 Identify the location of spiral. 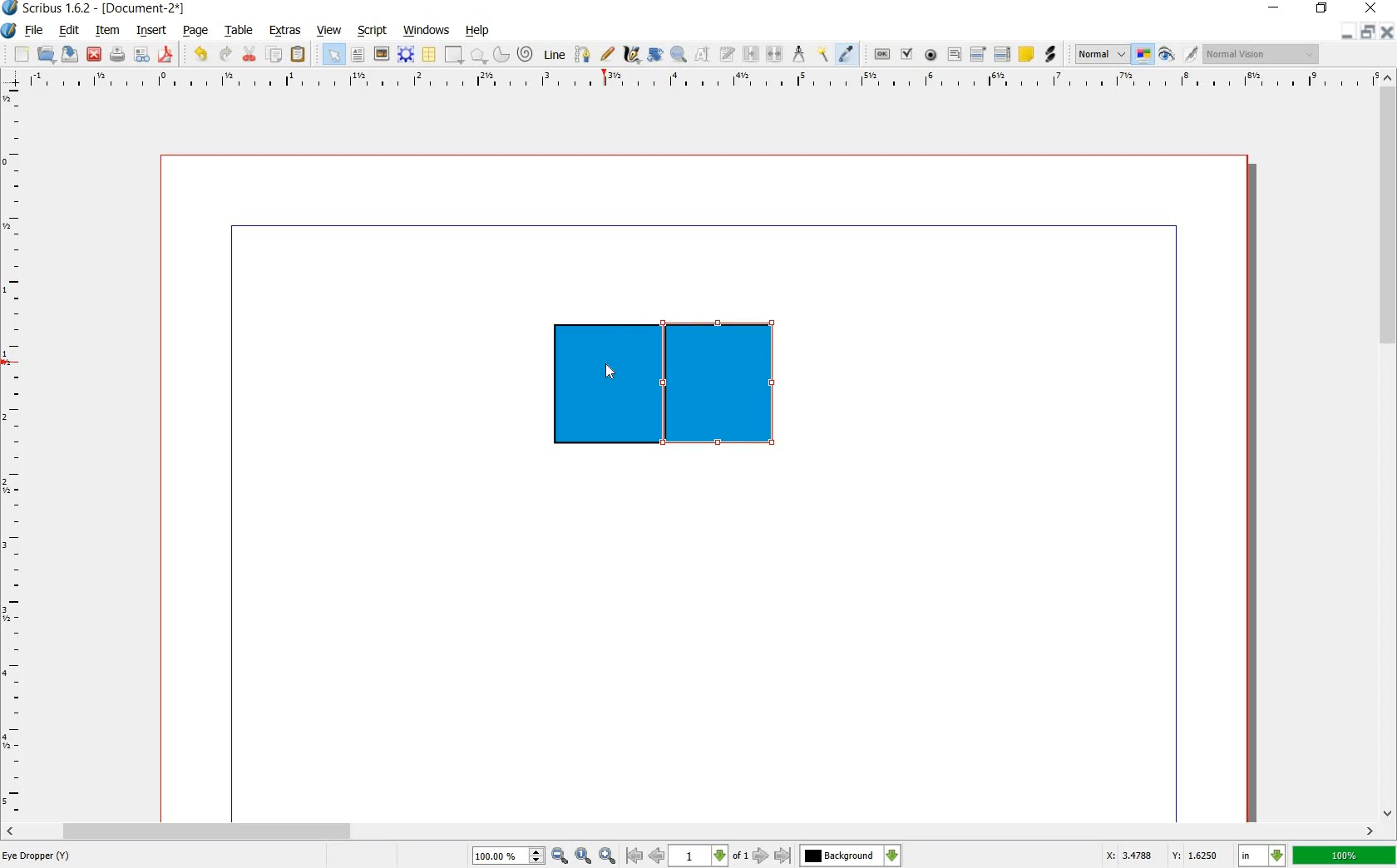
(525, 53).